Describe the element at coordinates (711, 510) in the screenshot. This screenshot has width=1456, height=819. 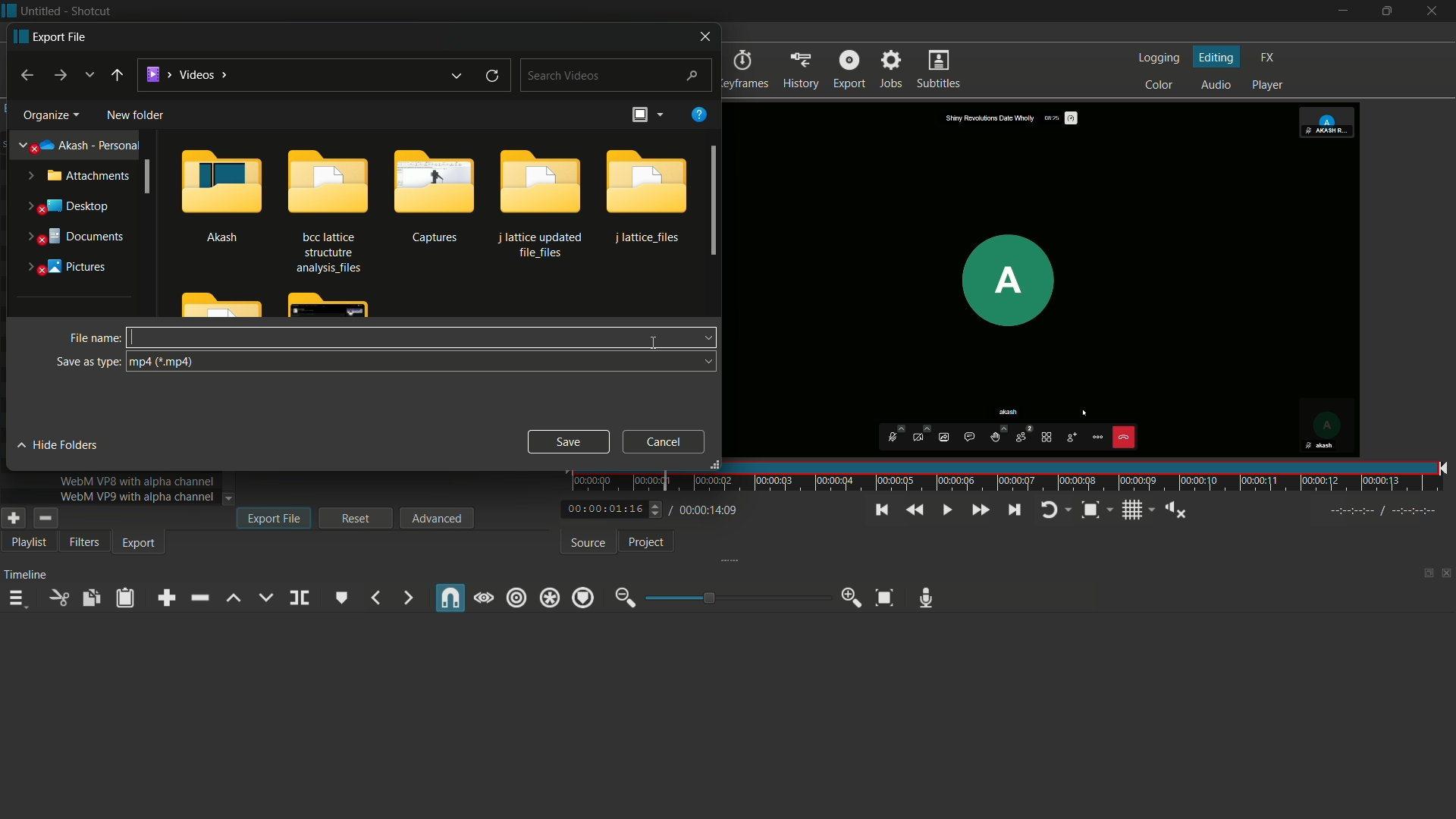
I see `total time` at that location.